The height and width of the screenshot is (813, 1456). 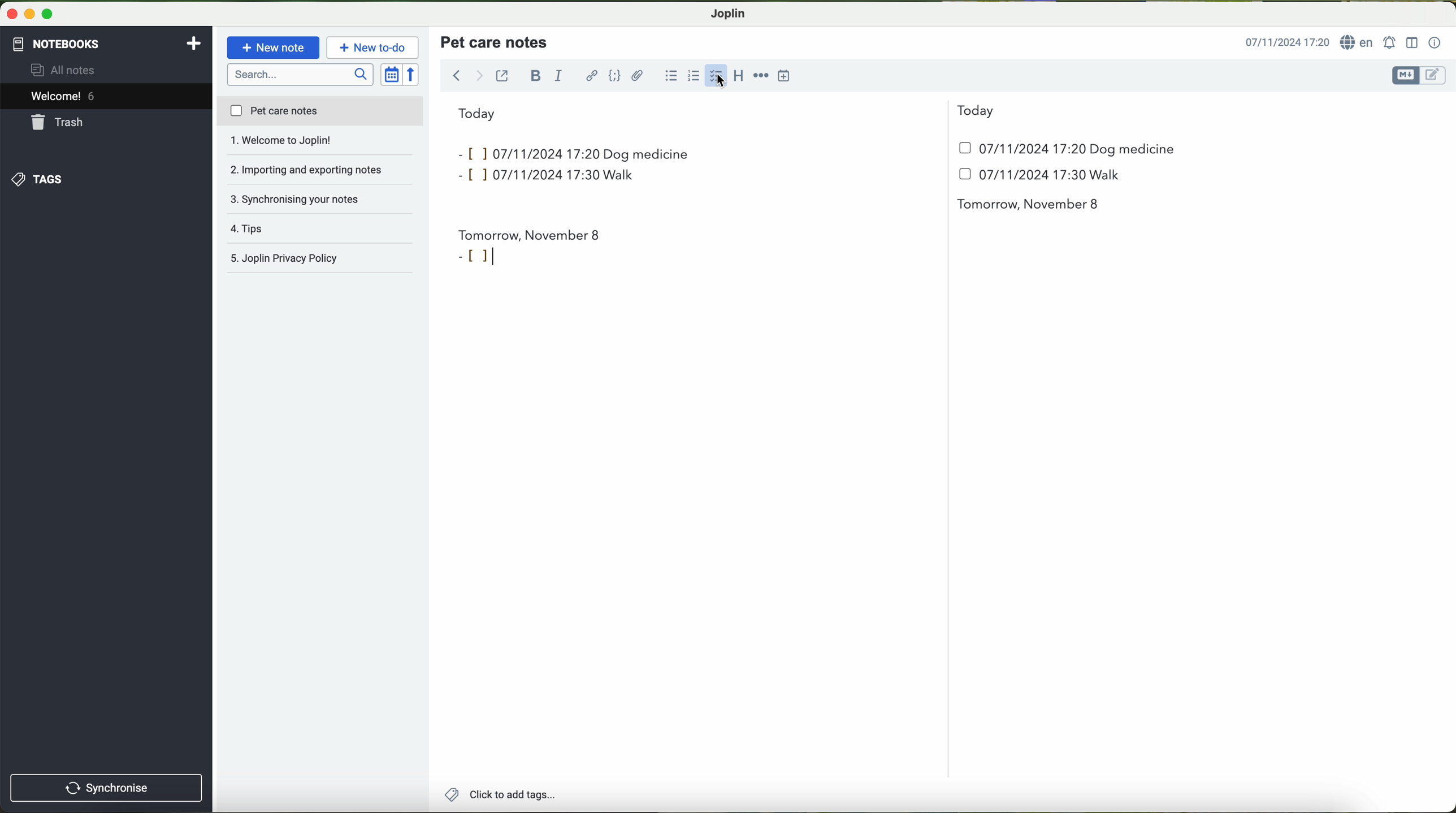 I want to click on notebooks, so click(x=55, y=42).